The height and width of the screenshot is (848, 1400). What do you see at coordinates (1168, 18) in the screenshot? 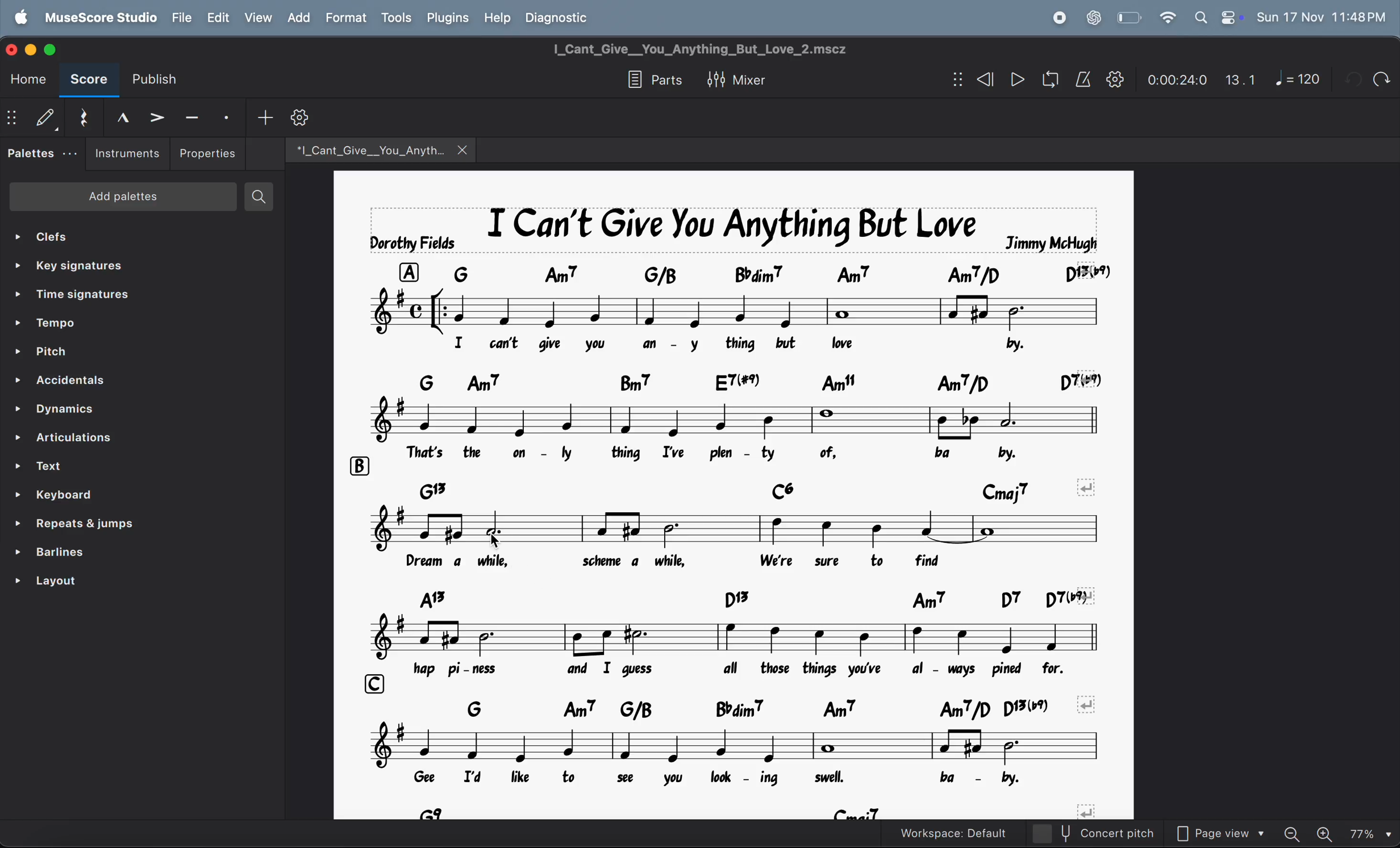
I see `wifi` at bounding box center [1168, 18].